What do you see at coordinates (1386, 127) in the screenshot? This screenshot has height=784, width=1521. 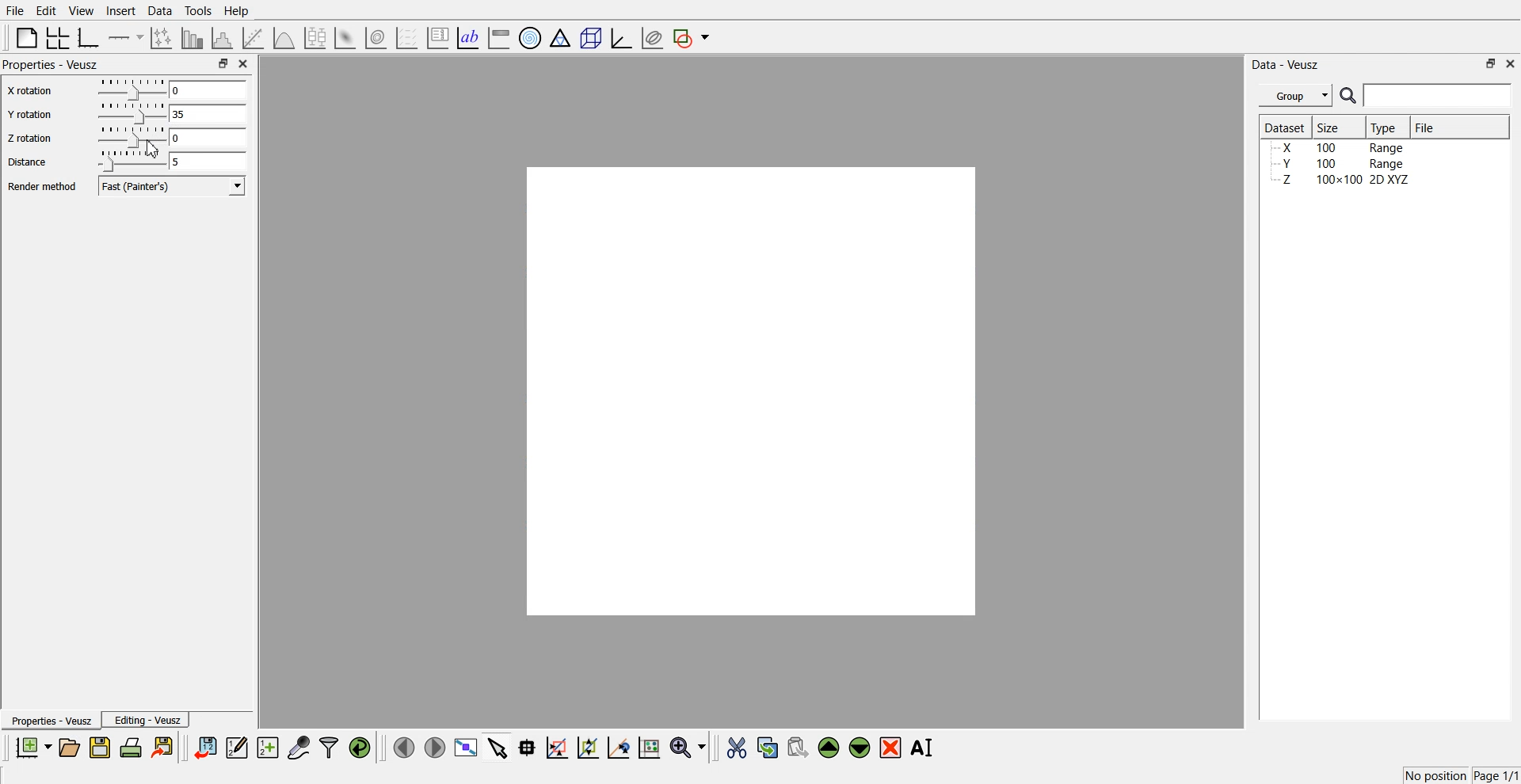 I see `Type` at bounding box center [1386, 127].